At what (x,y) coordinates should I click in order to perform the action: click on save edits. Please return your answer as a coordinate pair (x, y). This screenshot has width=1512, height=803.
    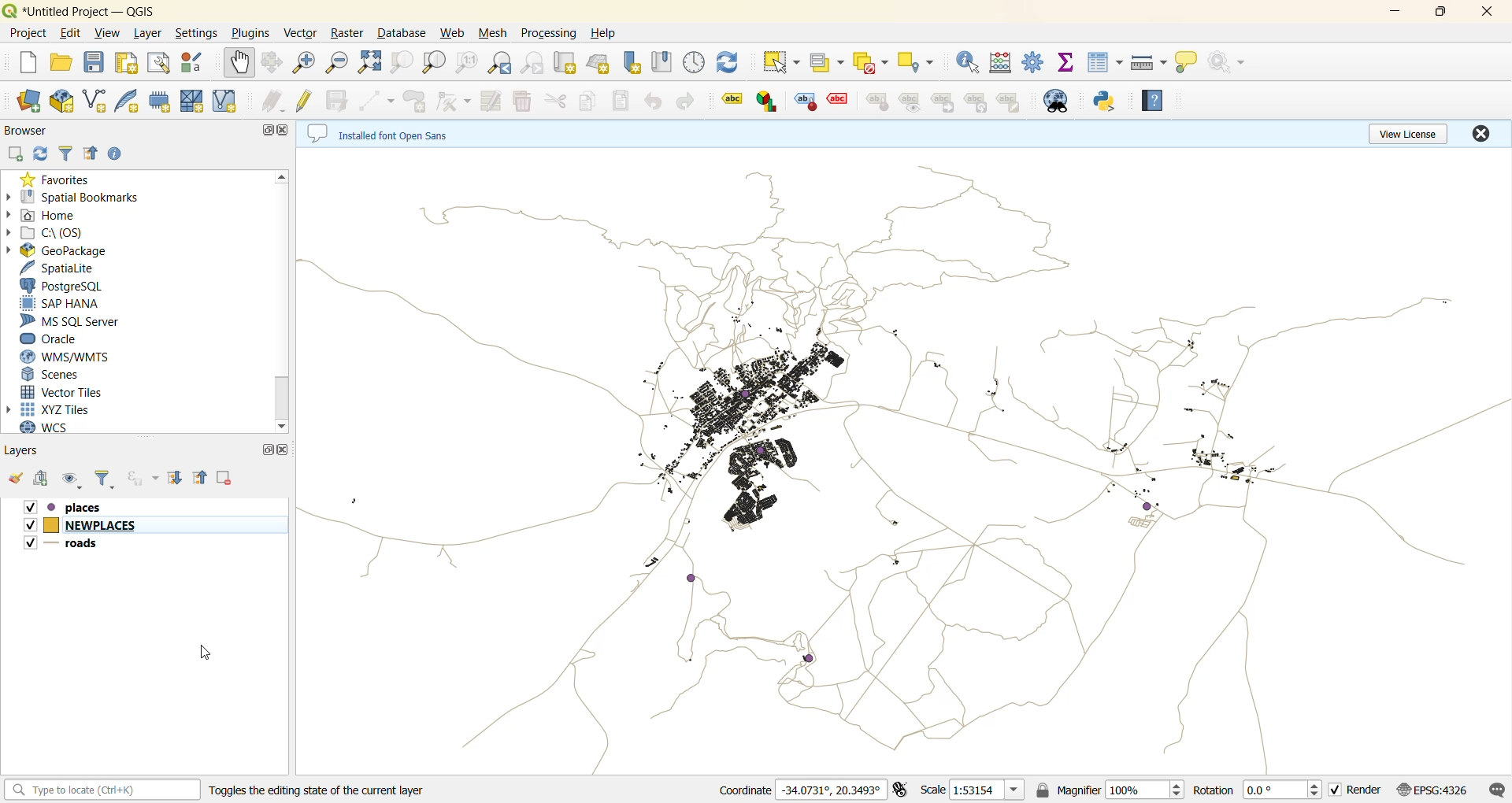
    Looking at the image, I should click on (342, 99).